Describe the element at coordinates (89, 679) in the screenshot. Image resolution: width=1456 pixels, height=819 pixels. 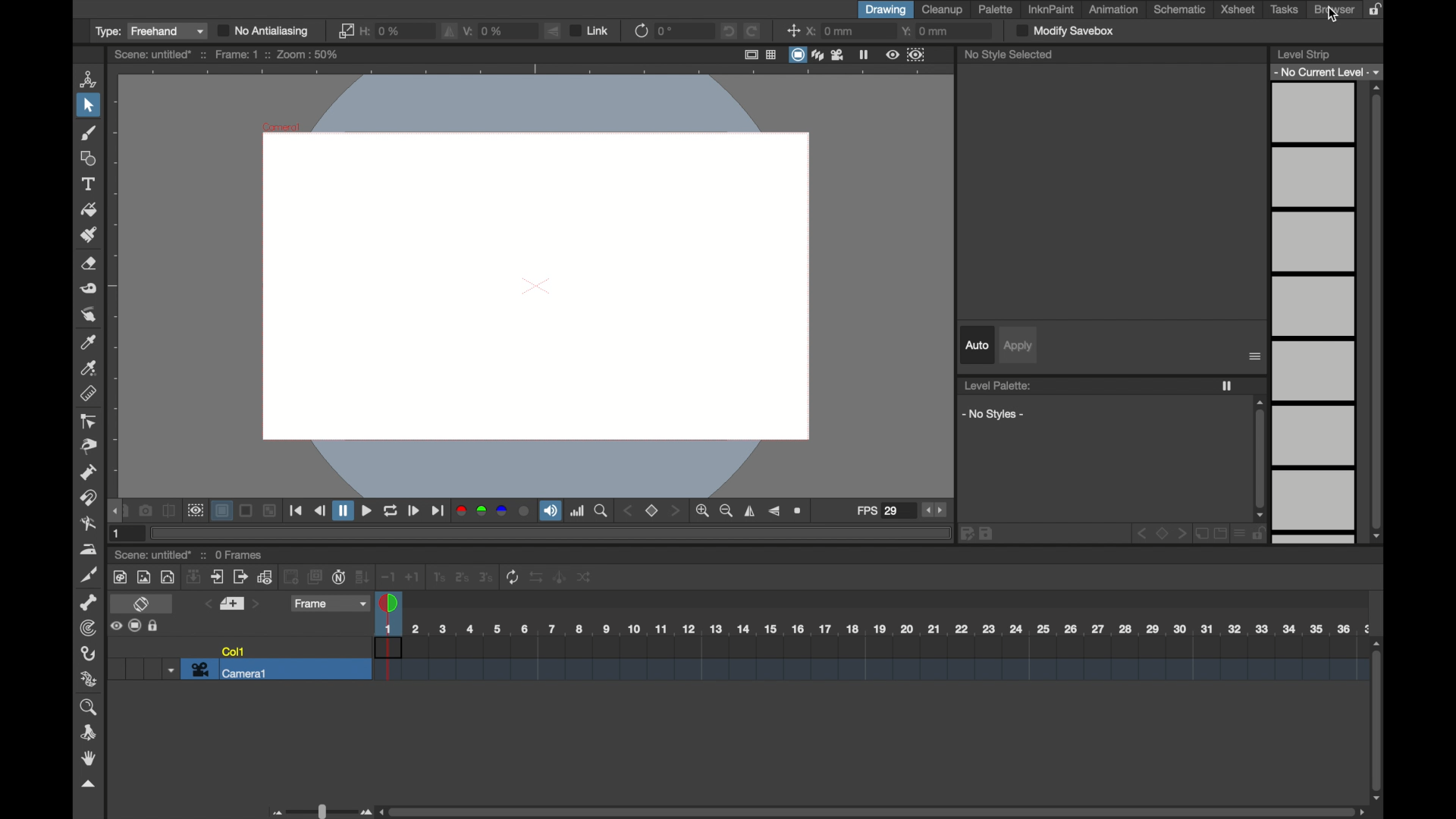
I see `plastic tool` at that location.